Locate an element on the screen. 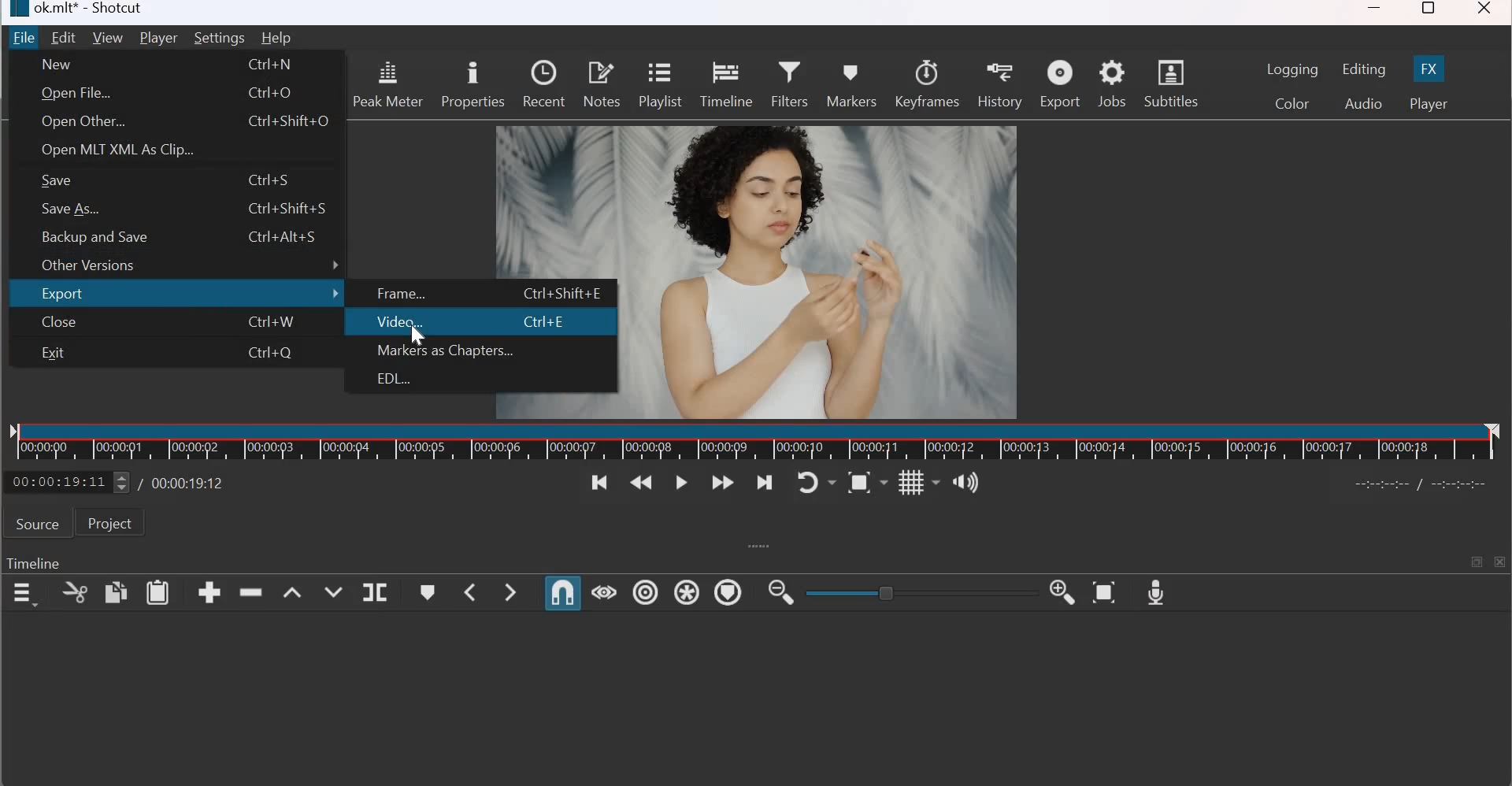 The height and width of the screenshot is (786, 1512). Ctrl+Shift+E is located at coordinates (567, 293).